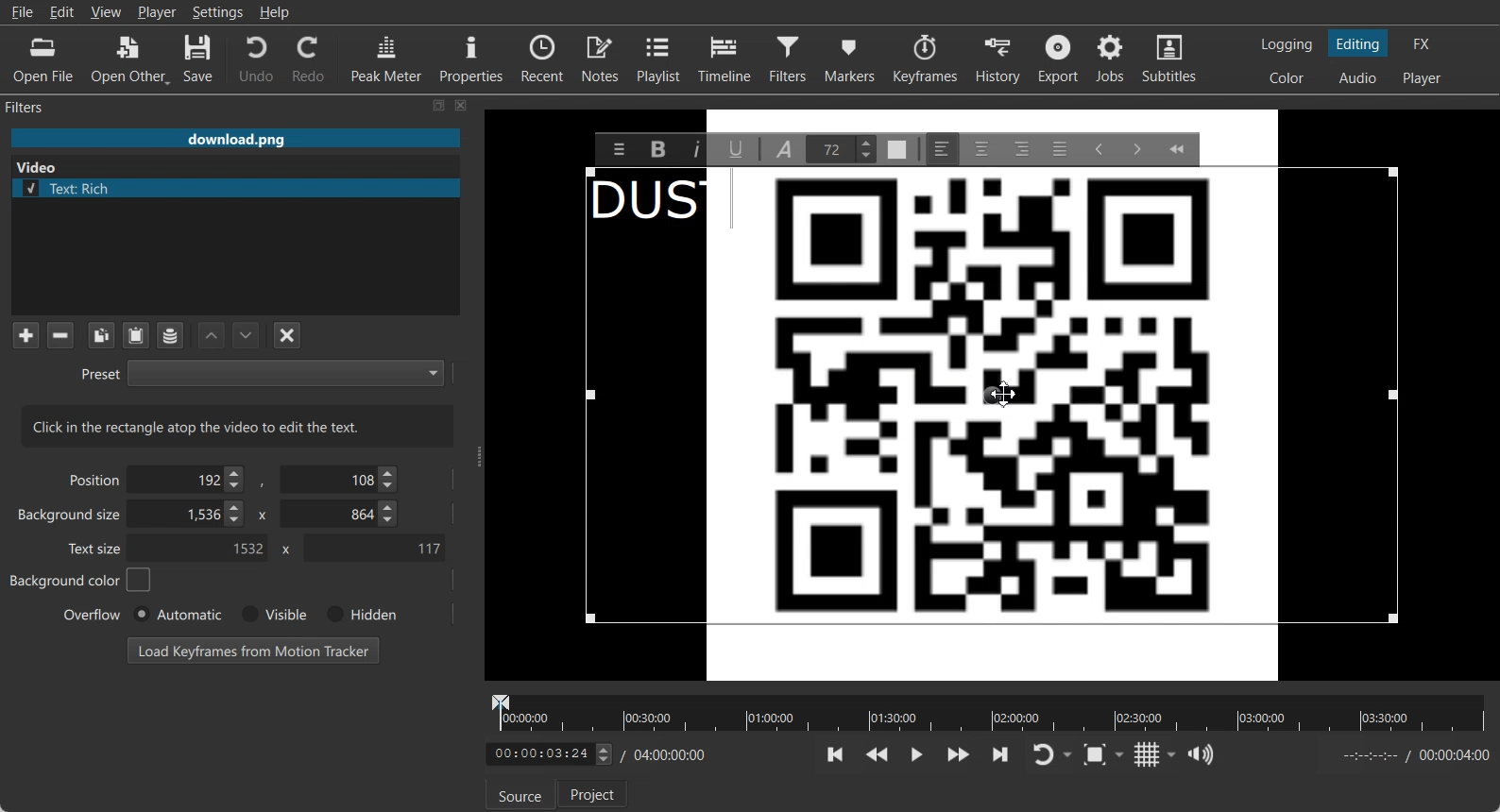 The width and height of the screenshot is (1500, 812). What do you see at coordinates (288, 335) in the screenshot?
I see `Deselect the filter` at bounding box center [288, 335].